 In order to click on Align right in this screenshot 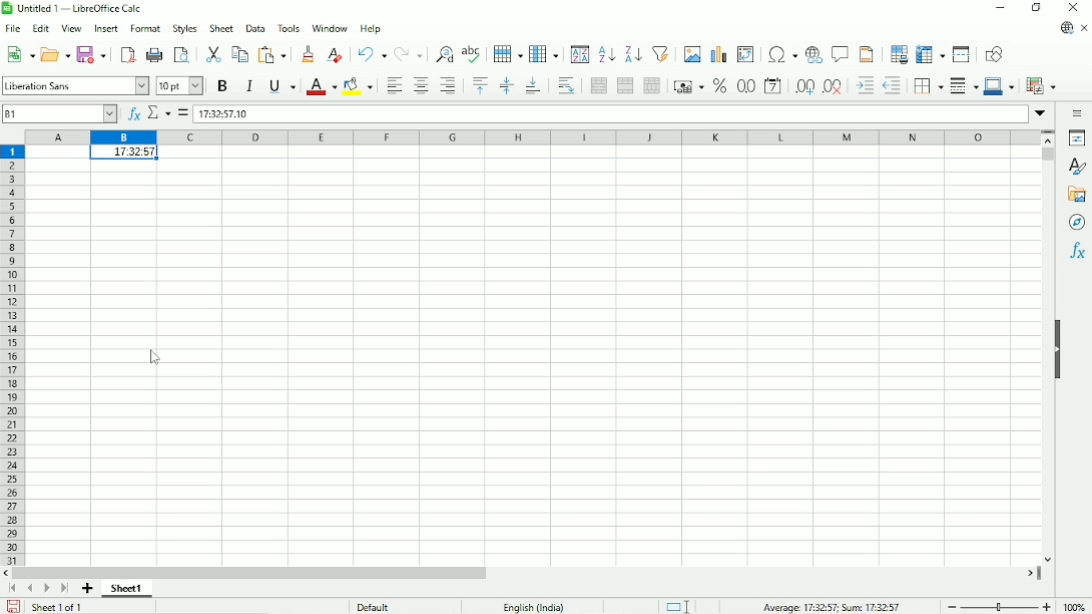, I will do `click(449, 87)`.